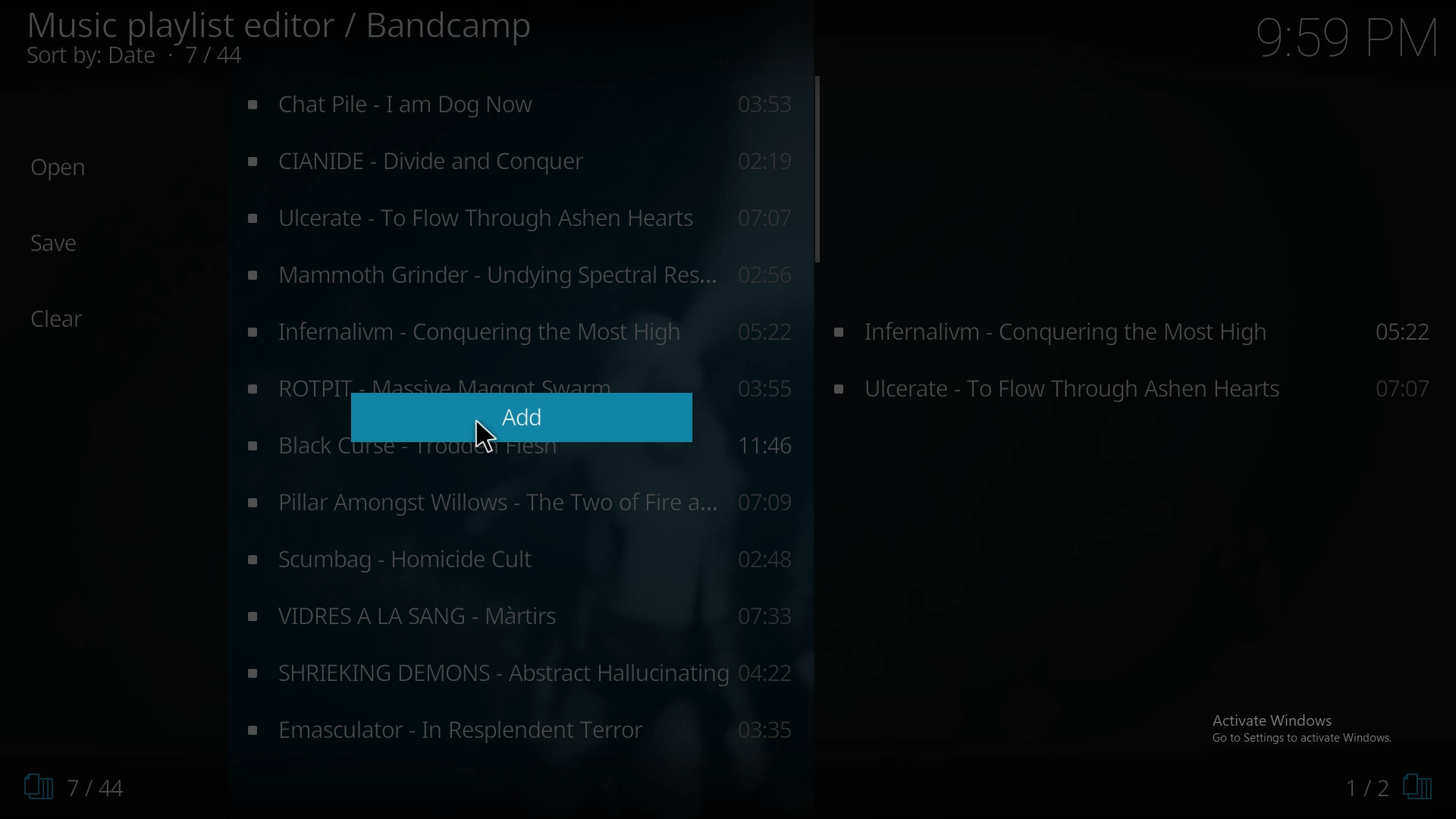 The width and height of the screenshot is (1456, 819). Describe the element at coordinates (523, 616) in the screenshot. I see `music` at that location.